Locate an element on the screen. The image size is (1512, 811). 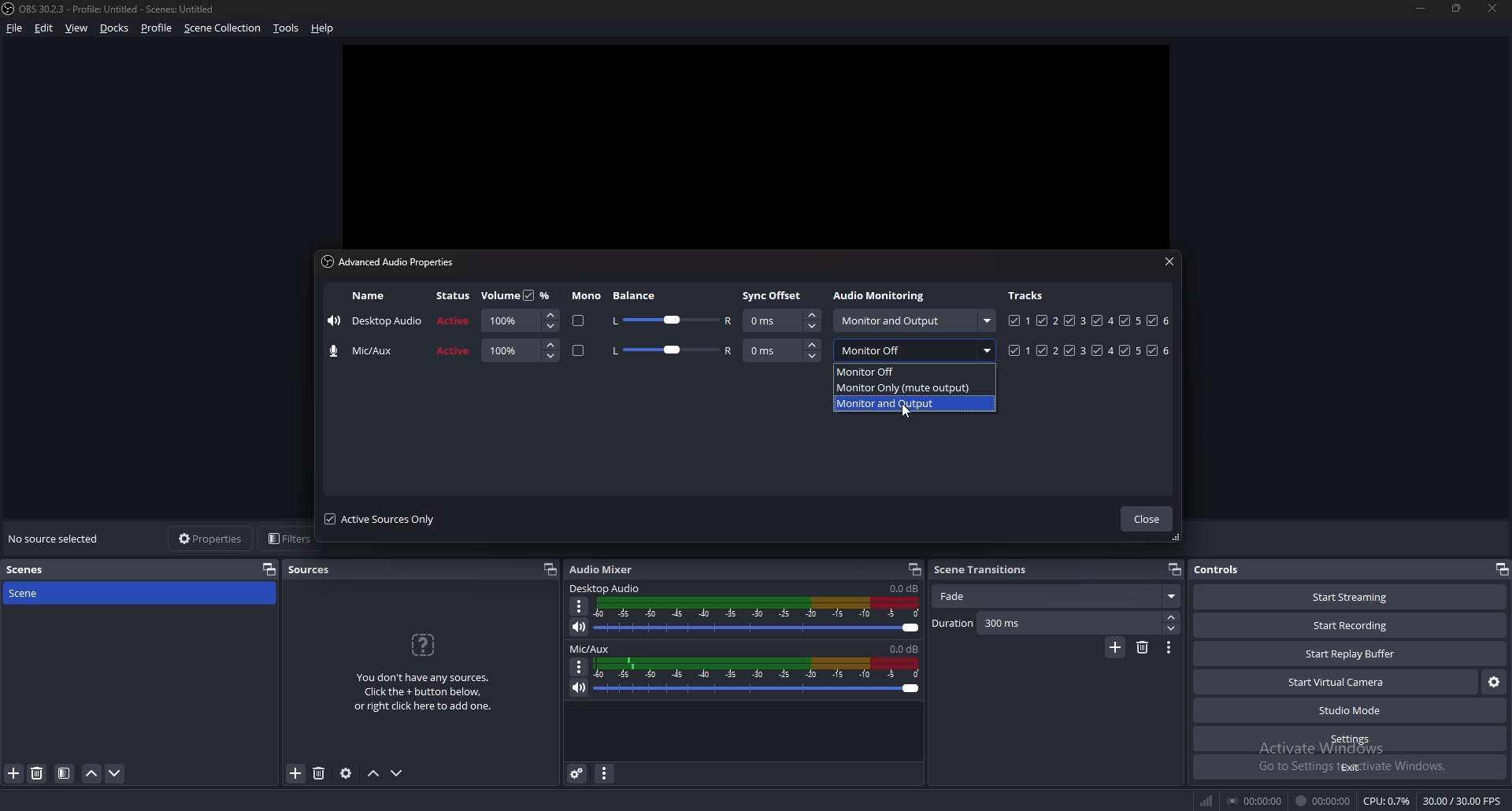
profile is located at coordinates (157, 28).